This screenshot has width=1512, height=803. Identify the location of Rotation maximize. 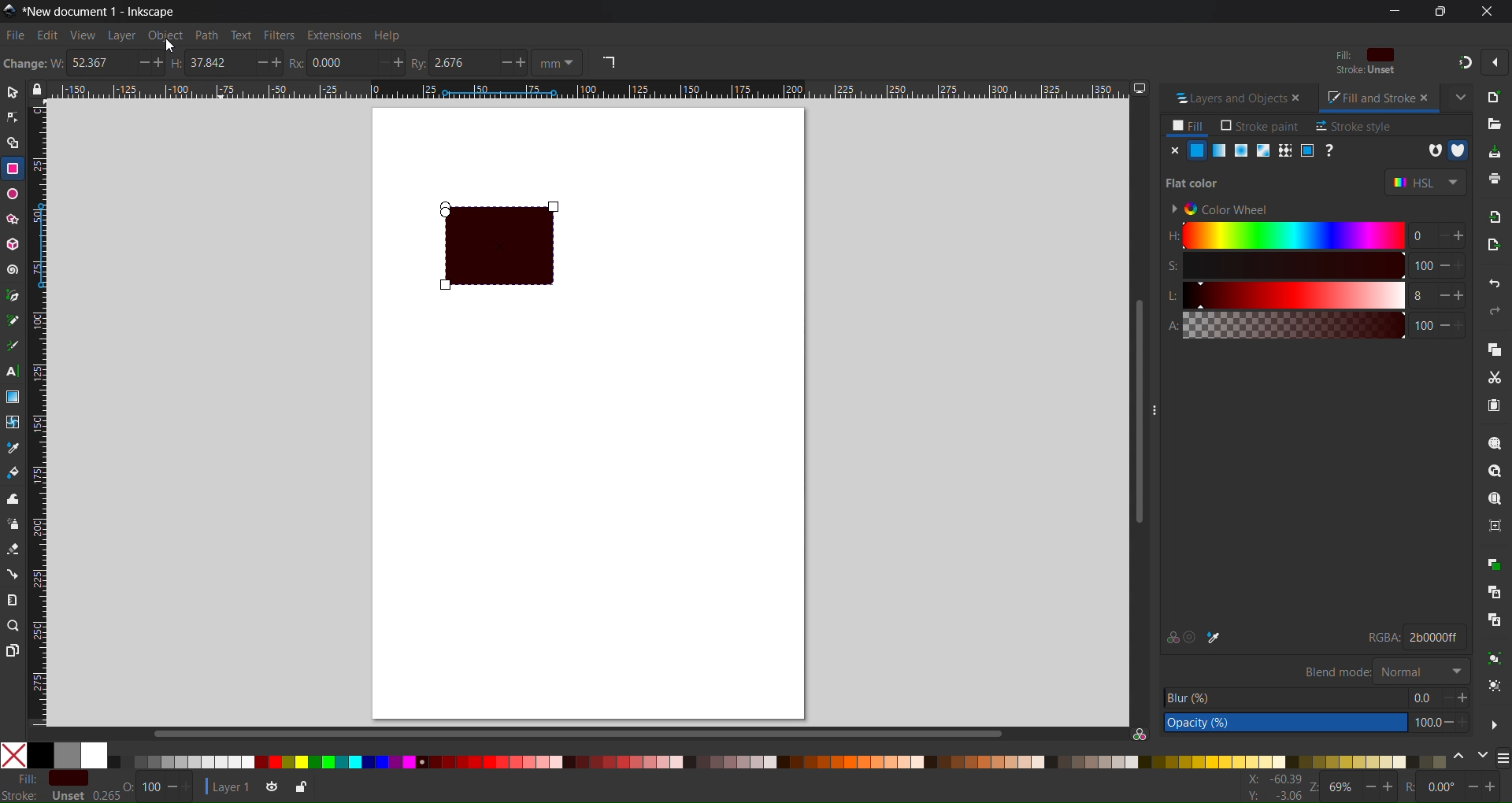
(1493, 787).